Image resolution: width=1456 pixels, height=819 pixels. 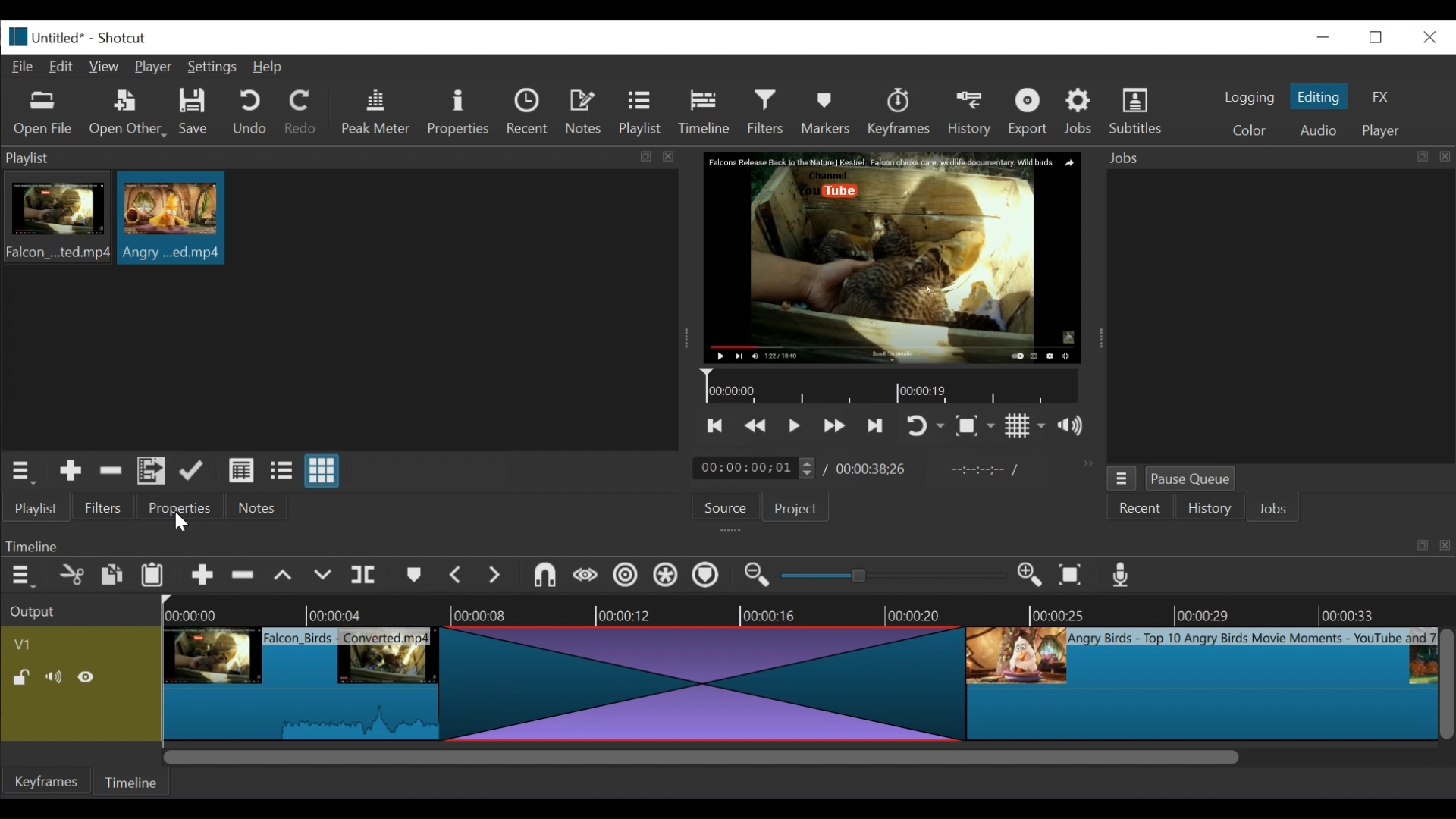 What do you see at coordinates (1248, 97) in the screenshot?
I see `logging` at bounding box center [1248, 97].